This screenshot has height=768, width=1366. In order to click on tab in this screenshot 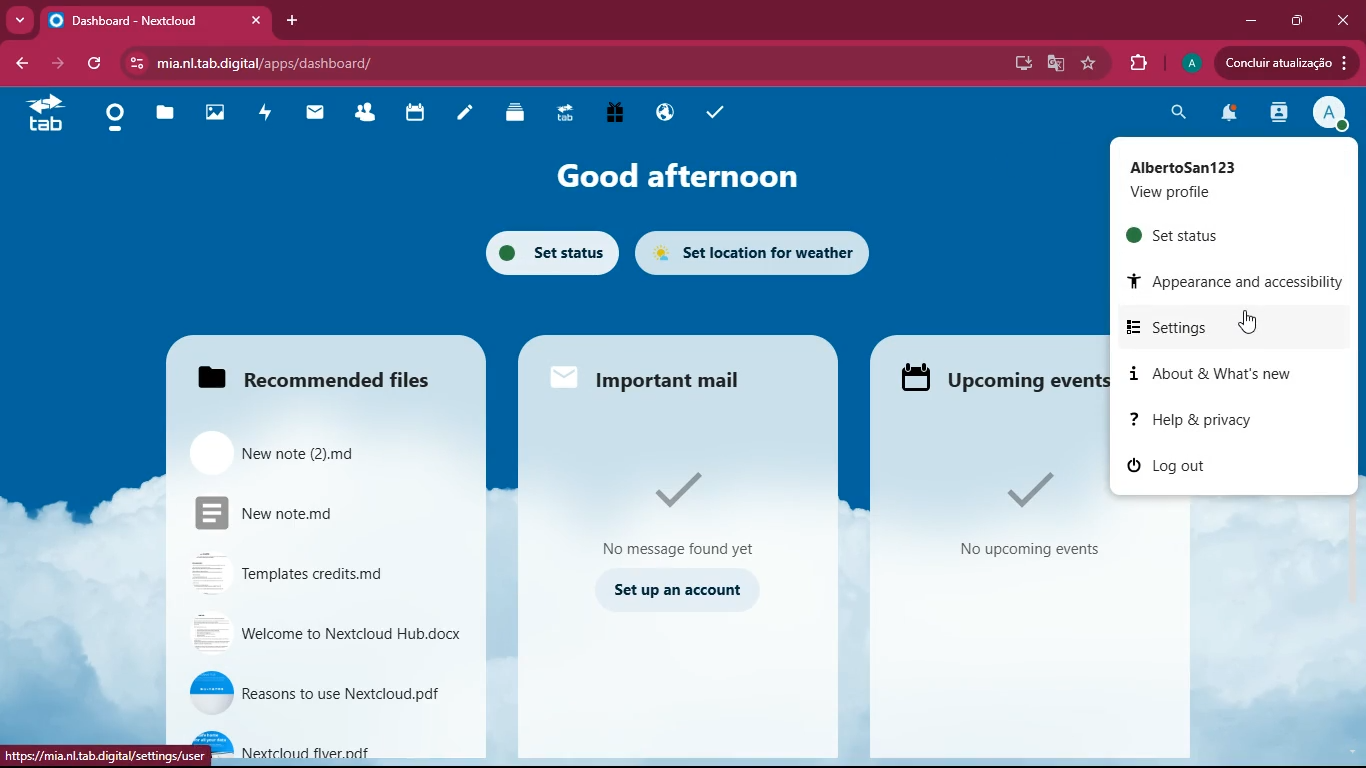, I will do `click(562, 117)`.